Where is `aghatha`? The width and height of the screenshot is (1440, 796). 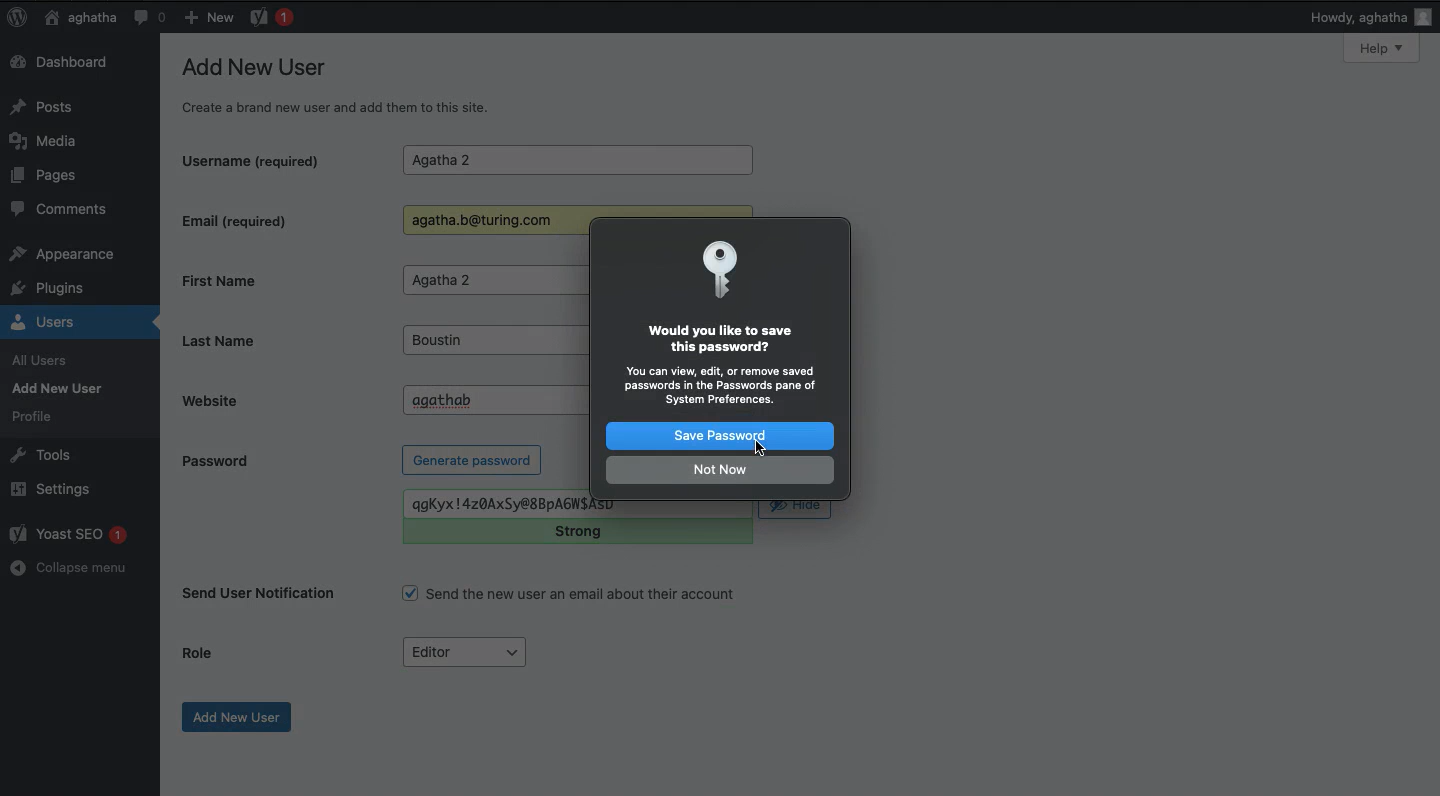
aghatha is located at coordinates (77, 17).